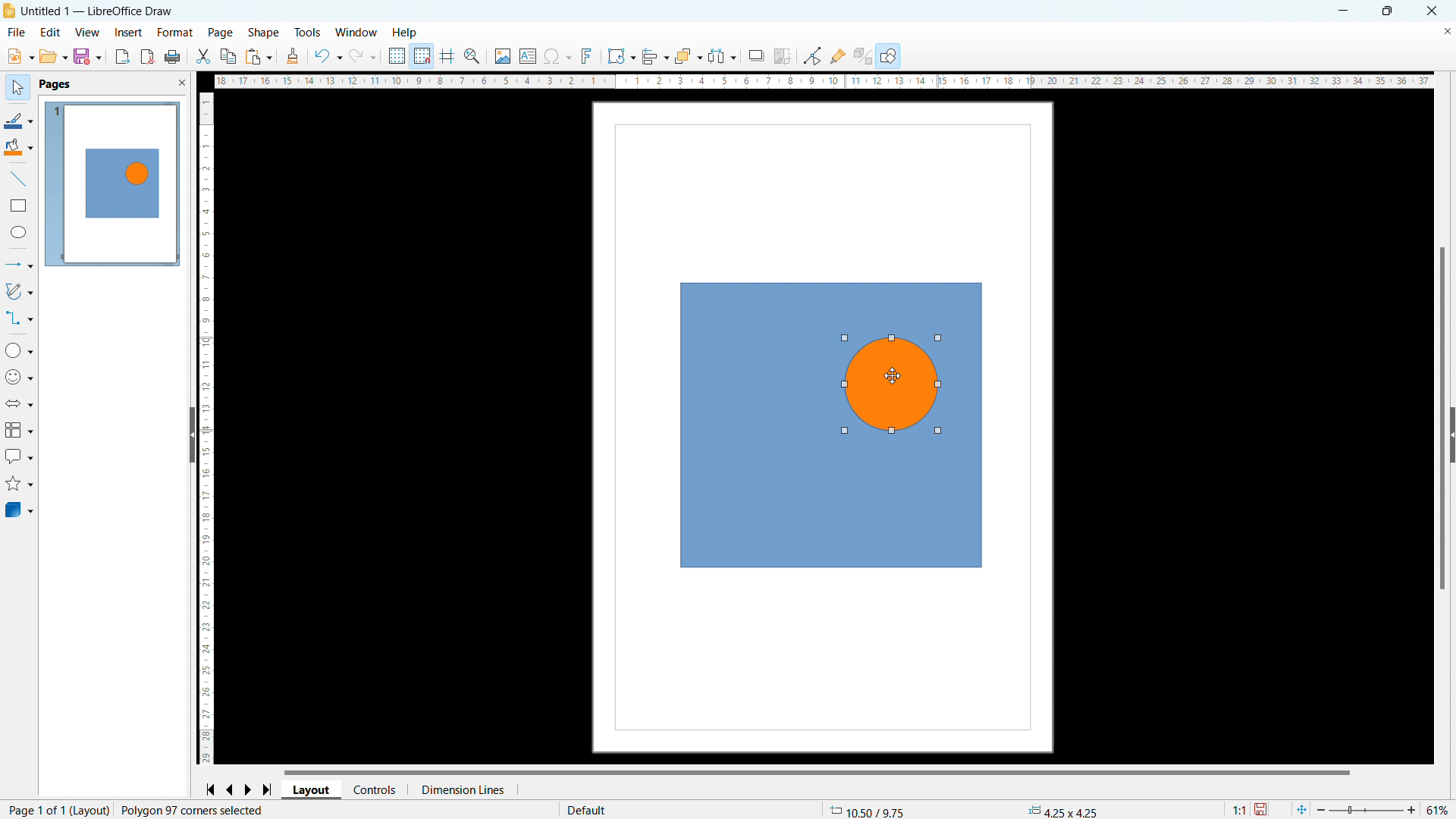 Image resolution: width=1456 pixels, height=819 pixels. What do you see at coordinates (723, 56) in the screenshot?
I see `select at least three objects to distribute` at bounding box center [723, 56].